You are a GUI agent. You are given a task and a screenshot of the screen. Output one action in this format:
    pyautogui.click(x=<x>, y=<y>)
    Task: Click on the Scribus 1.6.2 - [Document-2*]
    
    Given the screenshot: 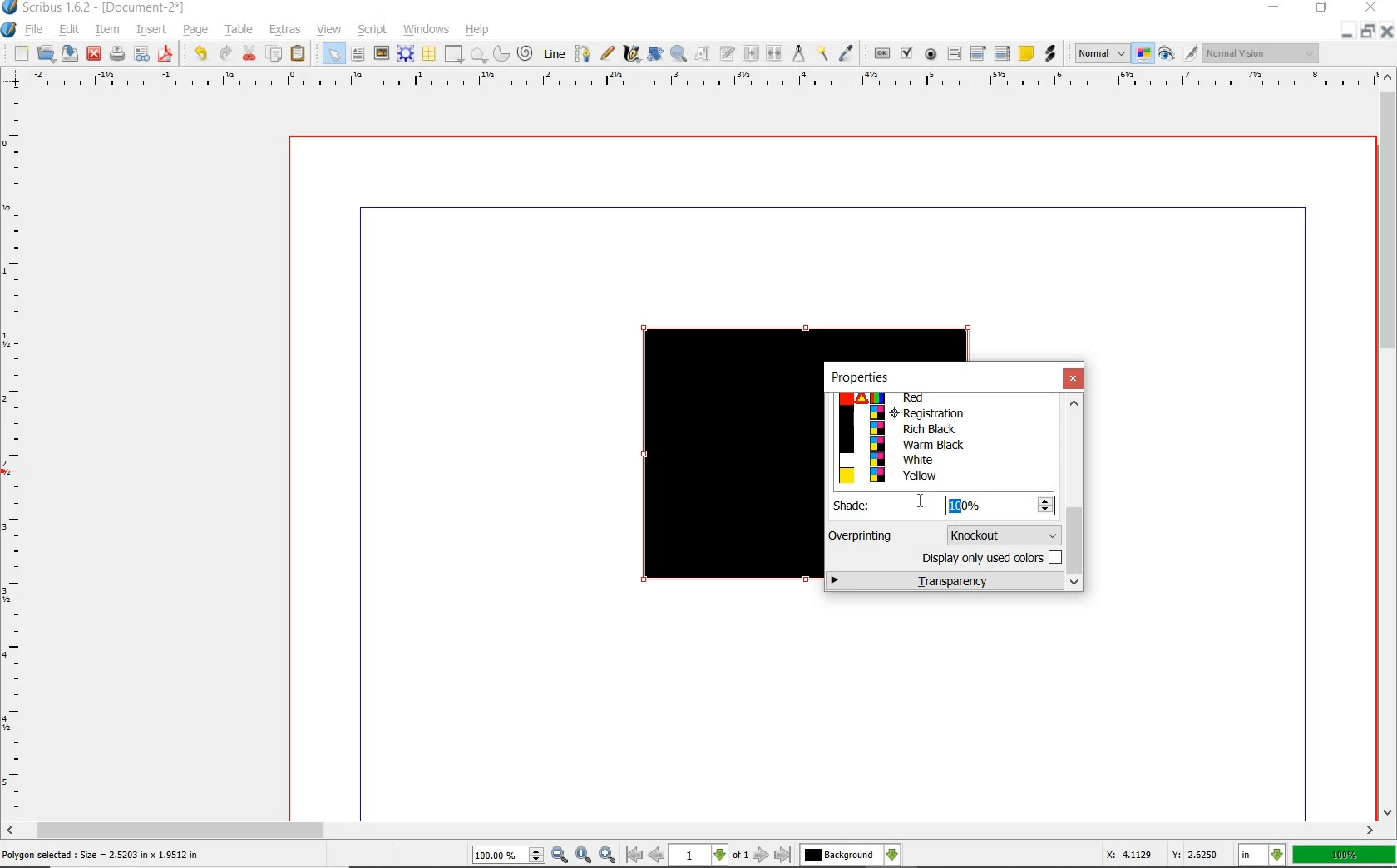 What is the action you would take?
    pyautogui.click(x=96, y=8)
    